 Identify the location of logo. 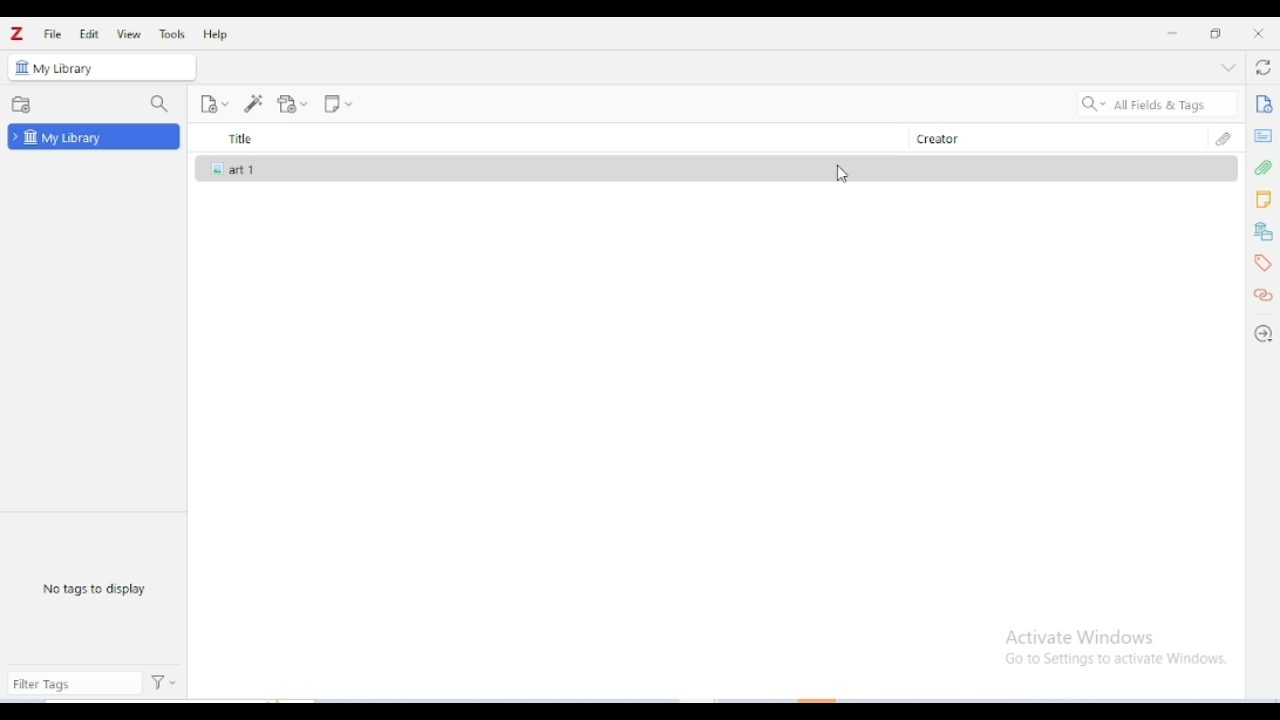
(17, 34).